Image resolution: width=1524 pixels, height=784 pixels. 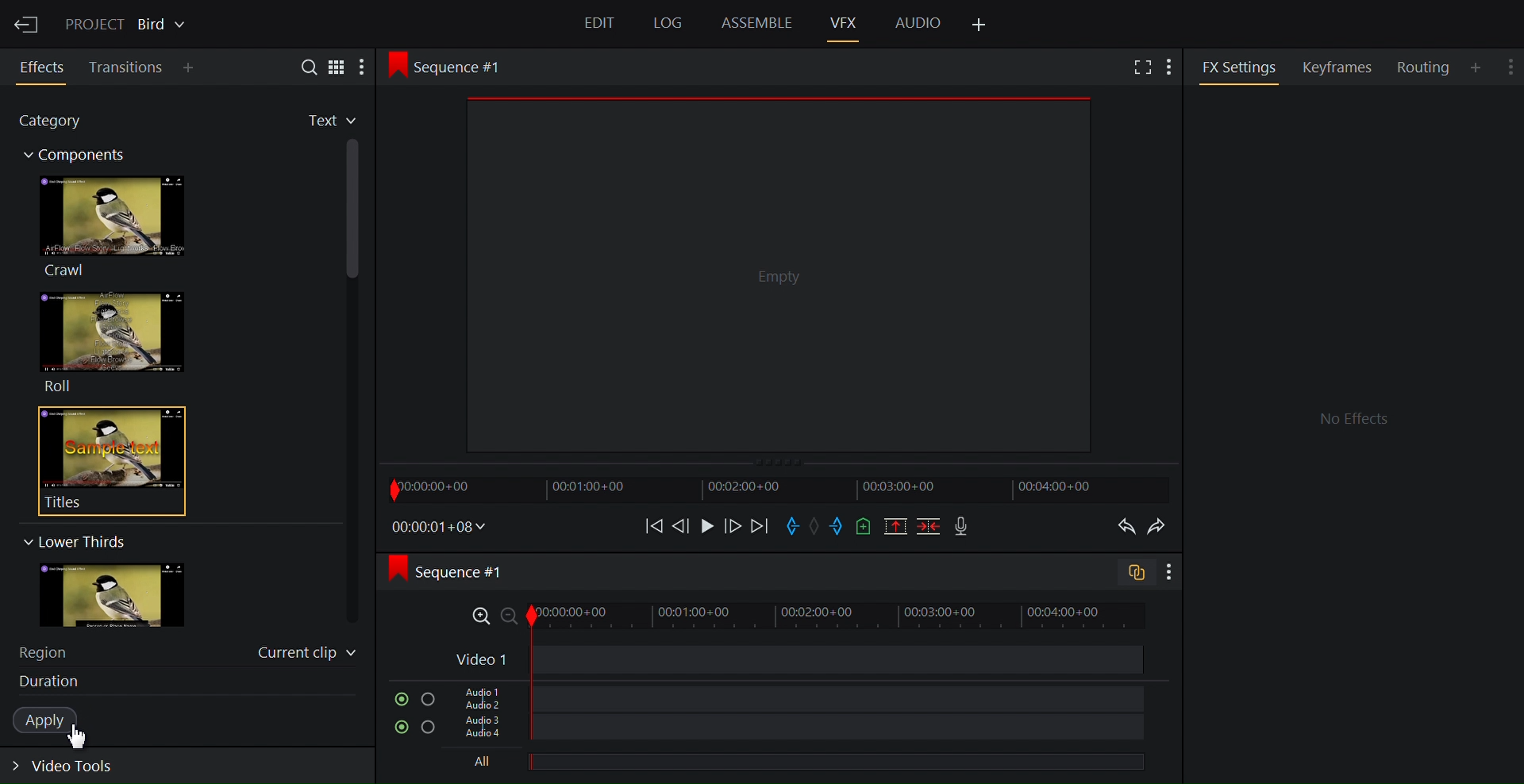 What do you see at coordinates (54, 681) in the screenshot?
I see `` at bounding box center [54, 681].